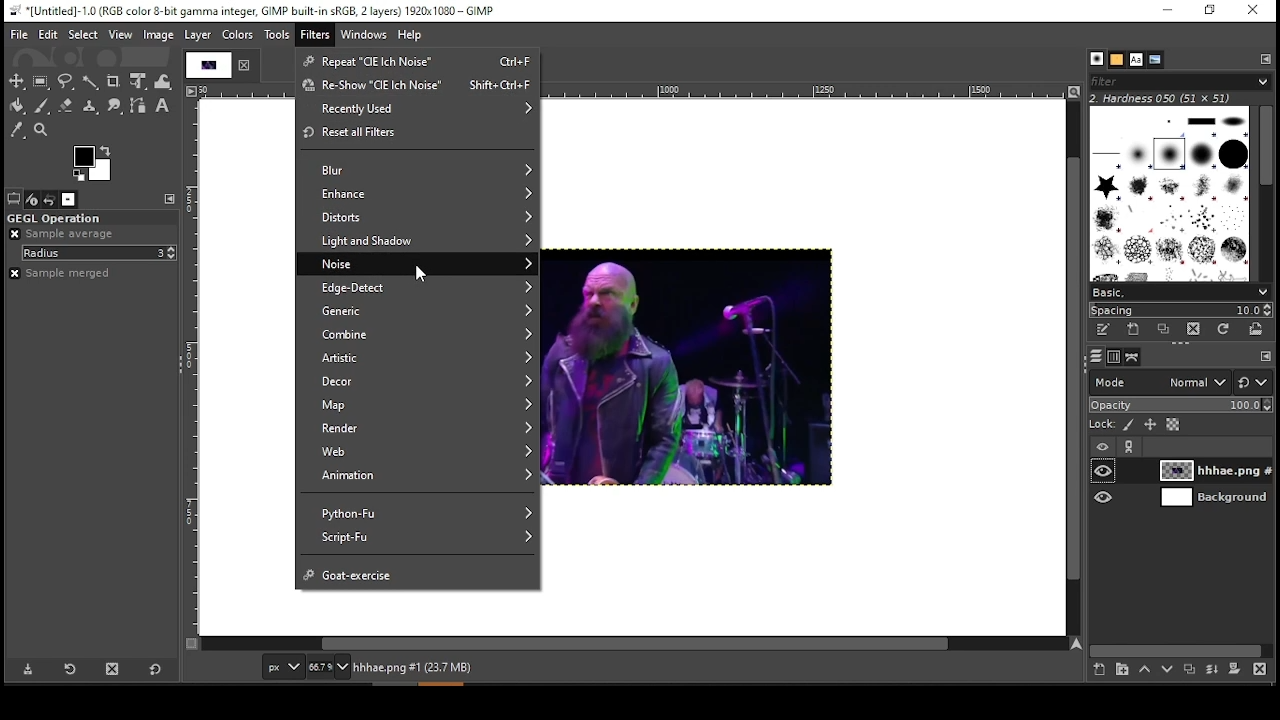  Describe the element at coordinates (42, 132) in the screenshot. I see `zoom tool` at that location.